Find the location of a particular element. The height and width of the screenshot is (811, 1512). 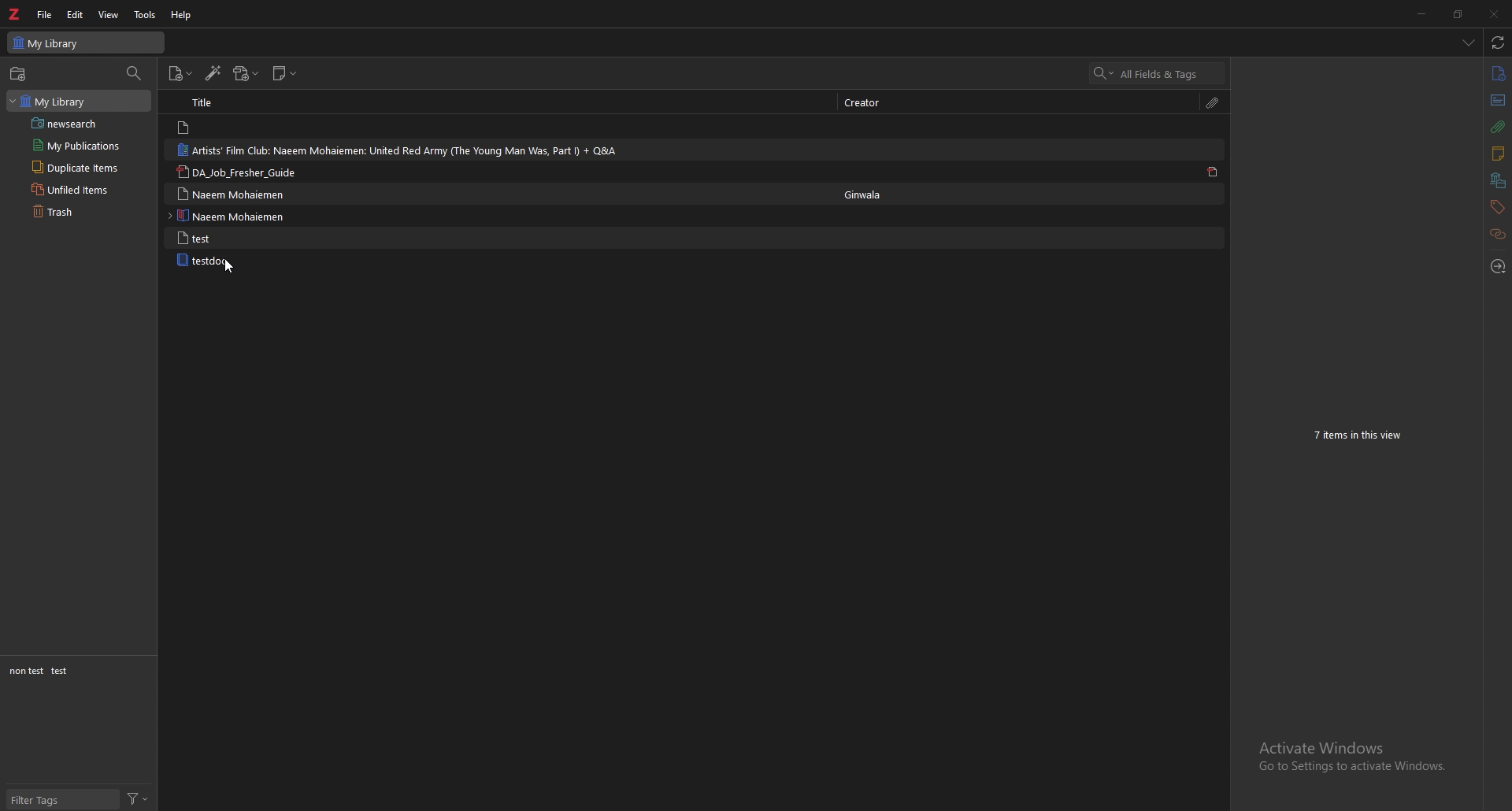

test is located at coordinates (232, 238).